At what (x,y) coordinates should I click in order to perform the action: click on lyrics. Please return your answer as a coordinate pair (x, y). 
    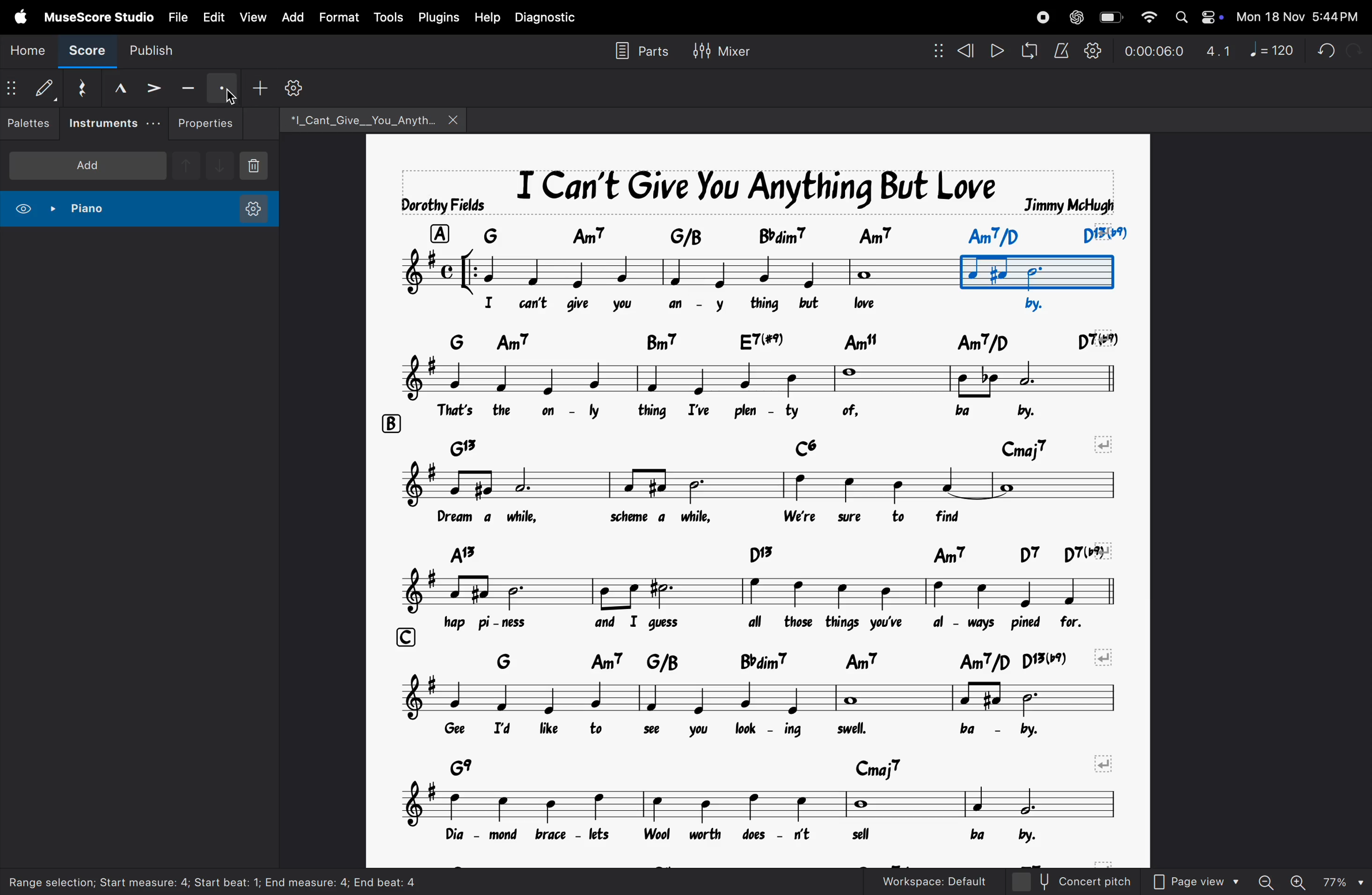
    Looking at the image, I should click on (783, 411).